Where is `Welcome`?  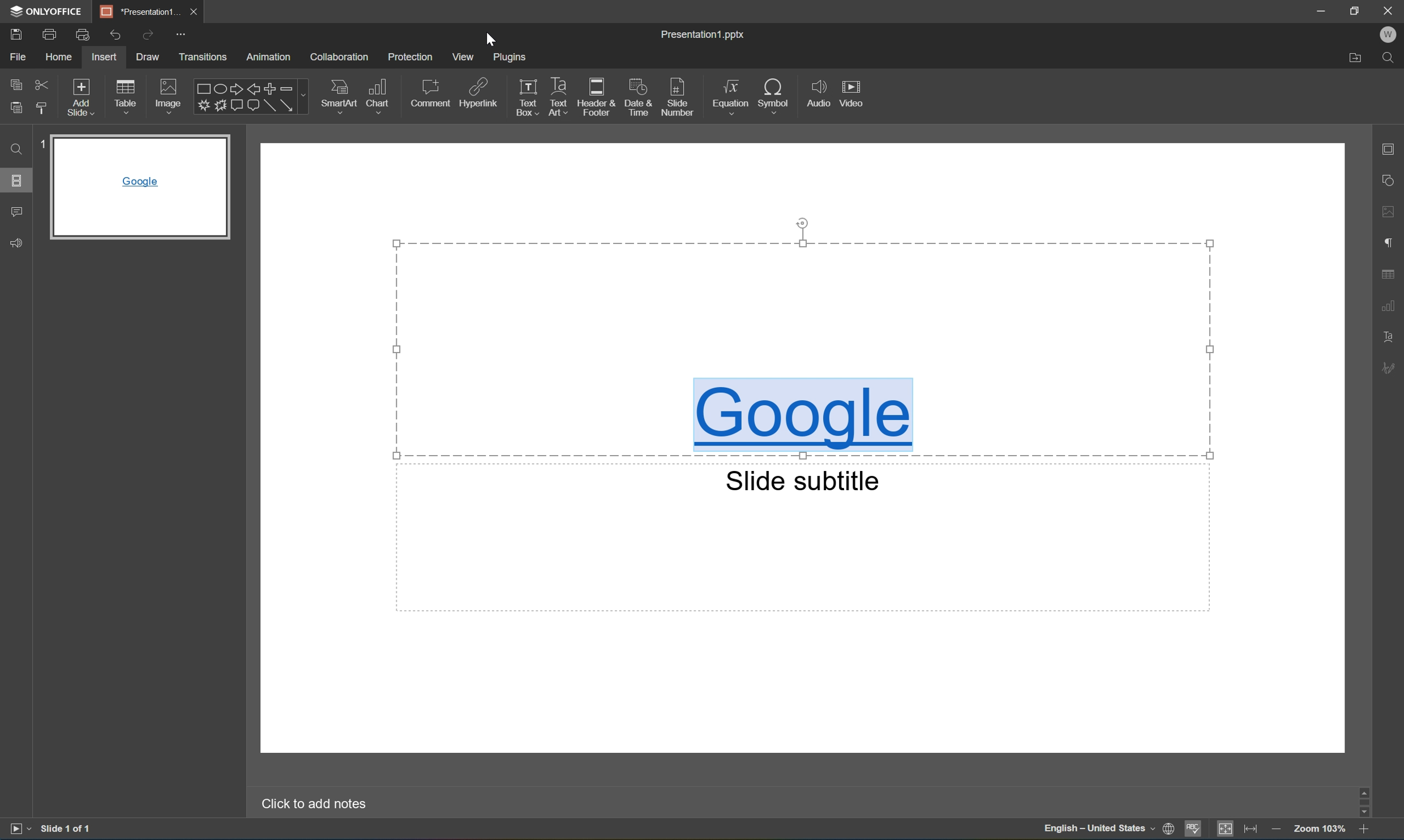
Welcome is located at coordinates (1388, 35).